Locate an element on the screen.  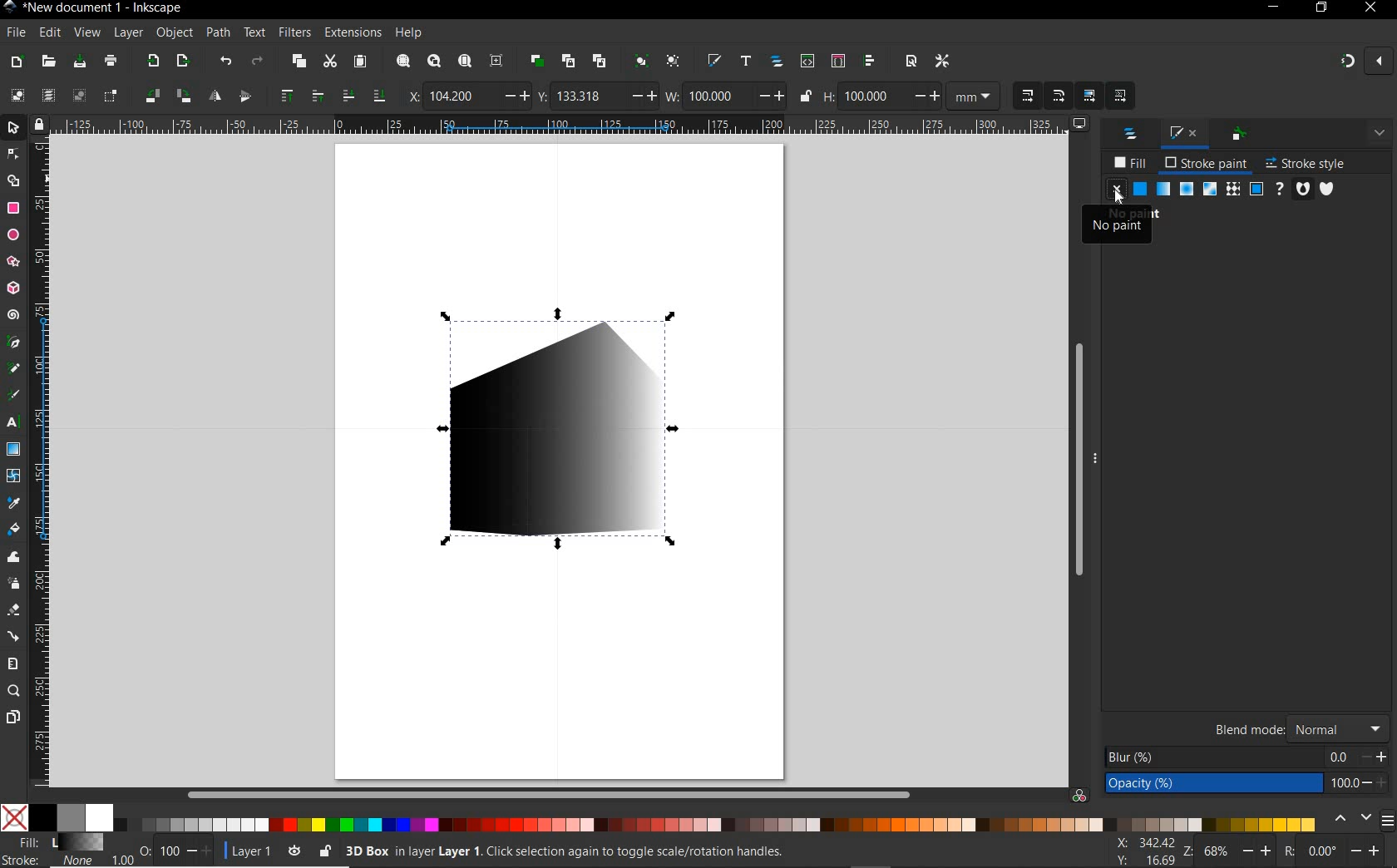
DROPPER TOOL is located at coordinates (13, 503).